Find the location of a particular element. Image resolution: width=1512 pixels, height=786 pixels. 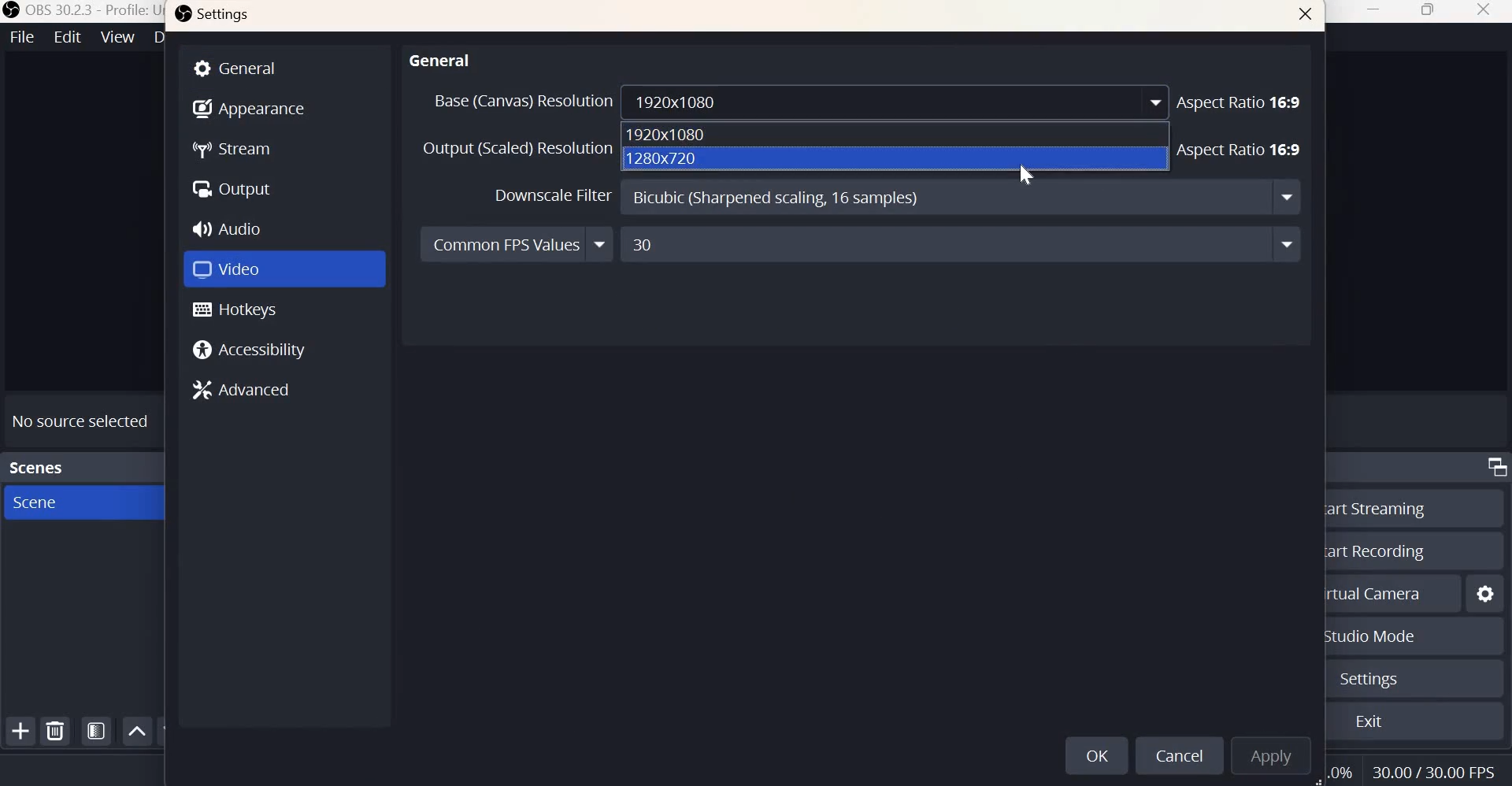

Maximize is located at coordinates (1429, 13).